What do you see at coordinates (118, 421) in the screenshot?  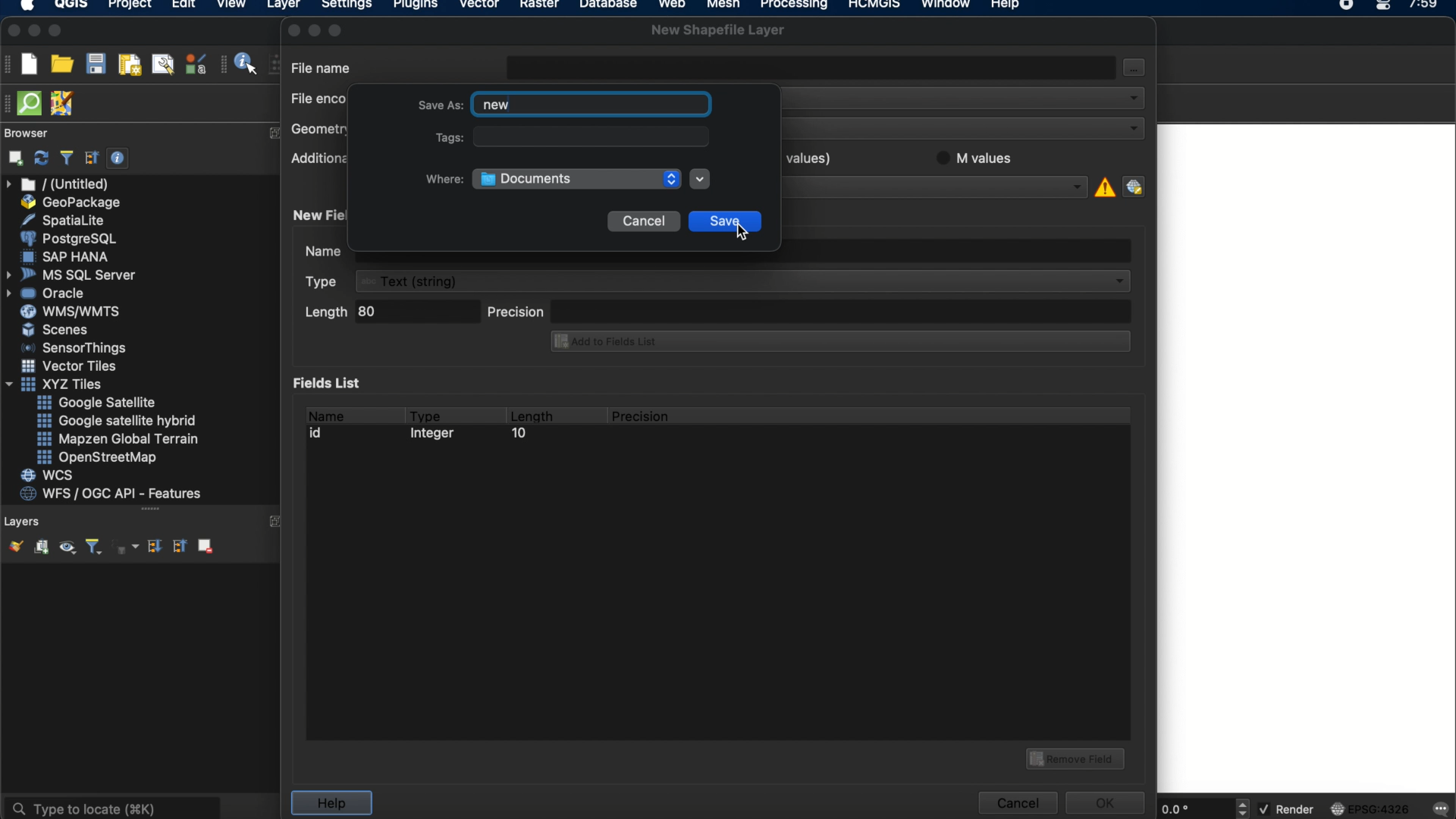 I see `google satellite hybrid` at bounding box center [118, 421].